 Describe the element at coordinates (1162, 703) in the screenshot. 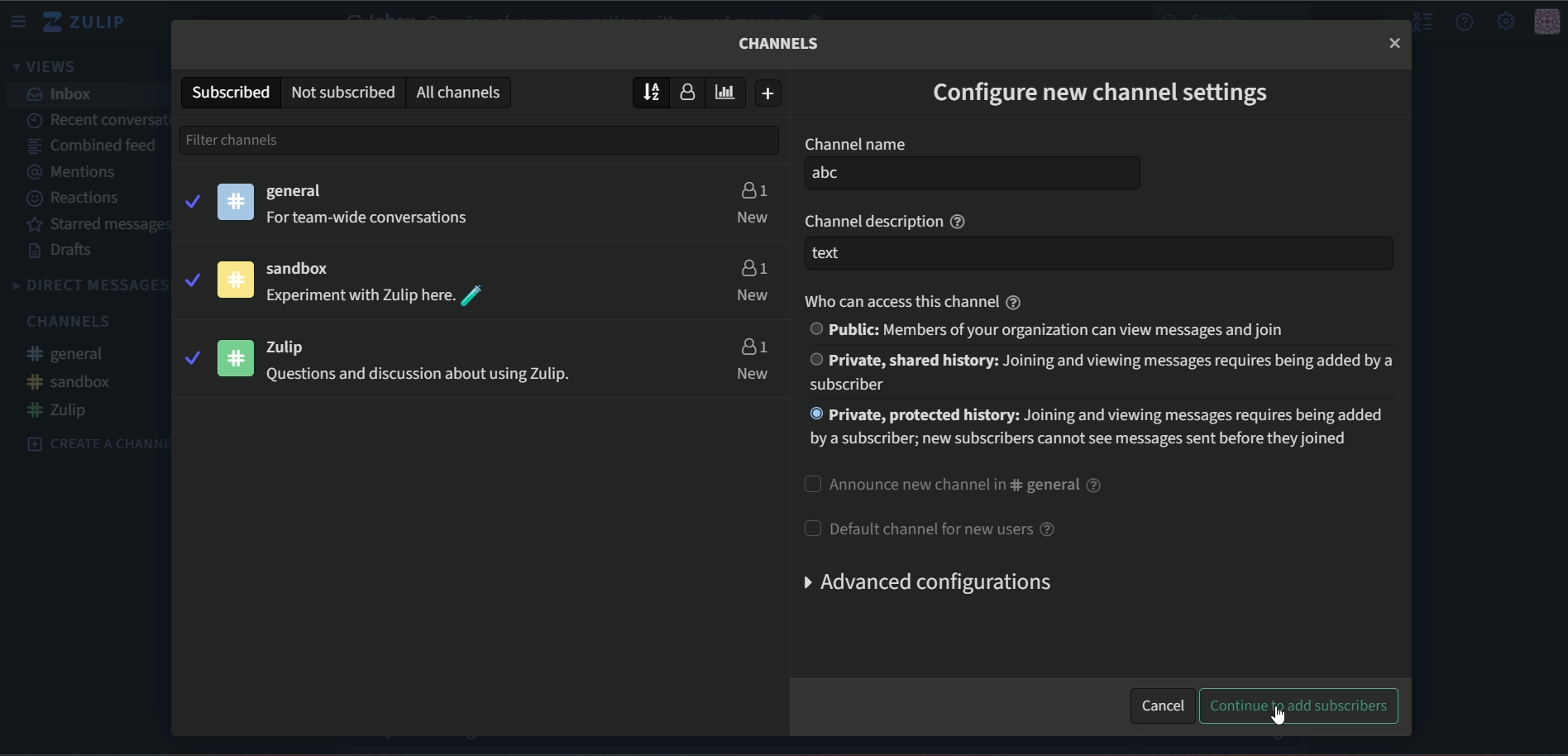

I see `cancel` at that location.